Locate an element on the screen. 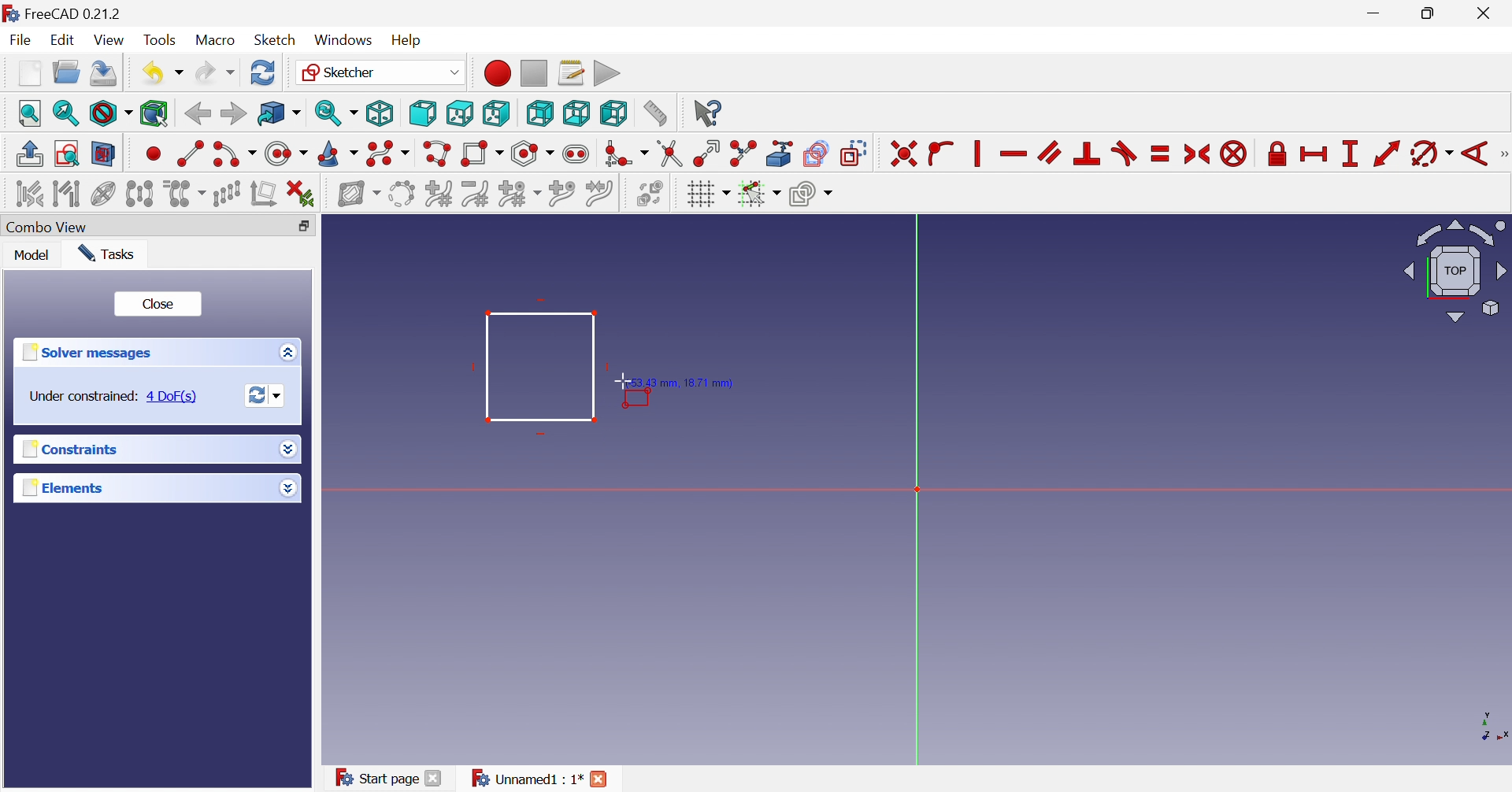  Constrain symmertical is located at coordinates (1198, 154).